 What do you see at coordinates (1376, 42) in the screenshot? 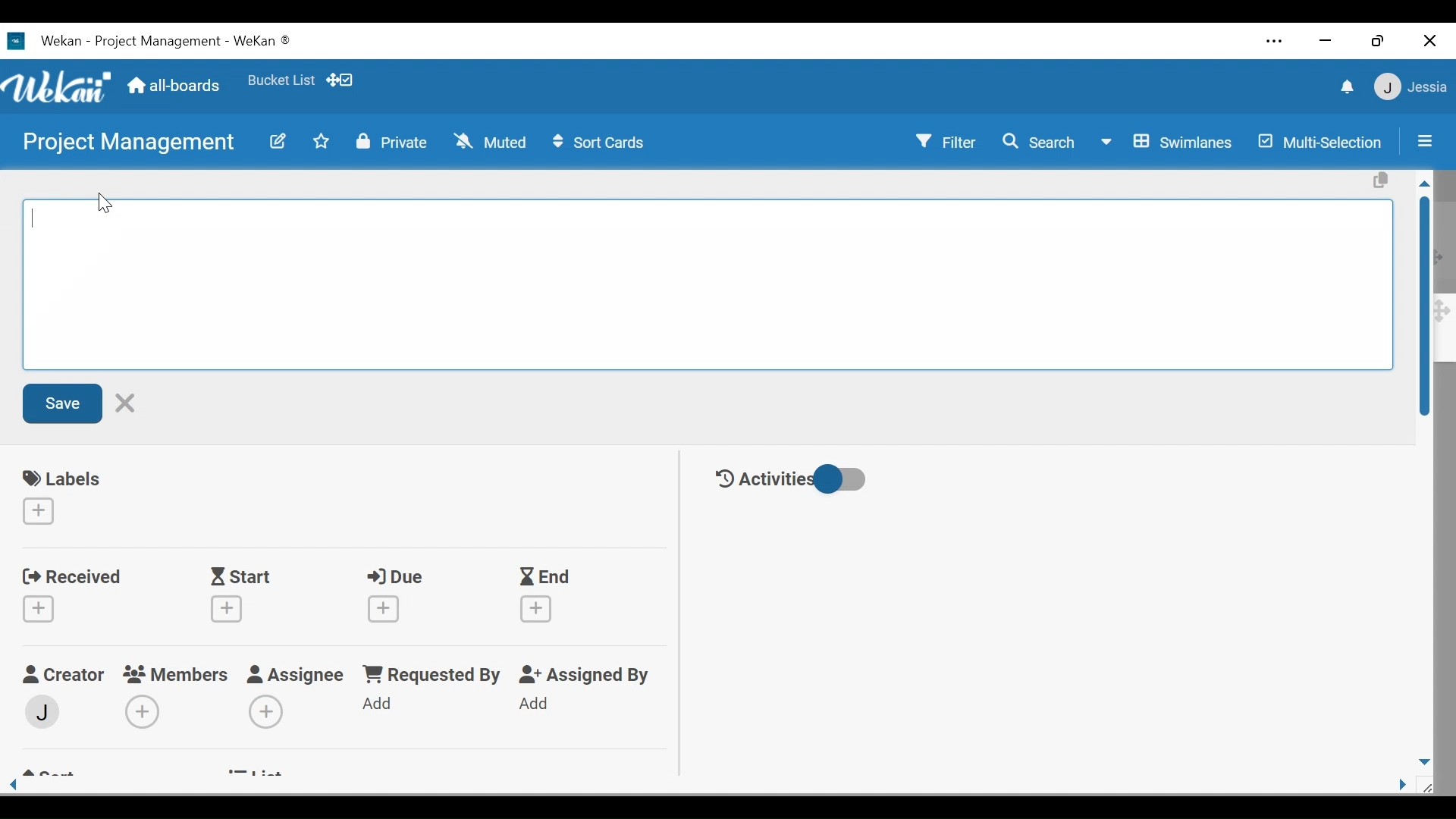
I see `Restore` at bounding box center [1376, 42].